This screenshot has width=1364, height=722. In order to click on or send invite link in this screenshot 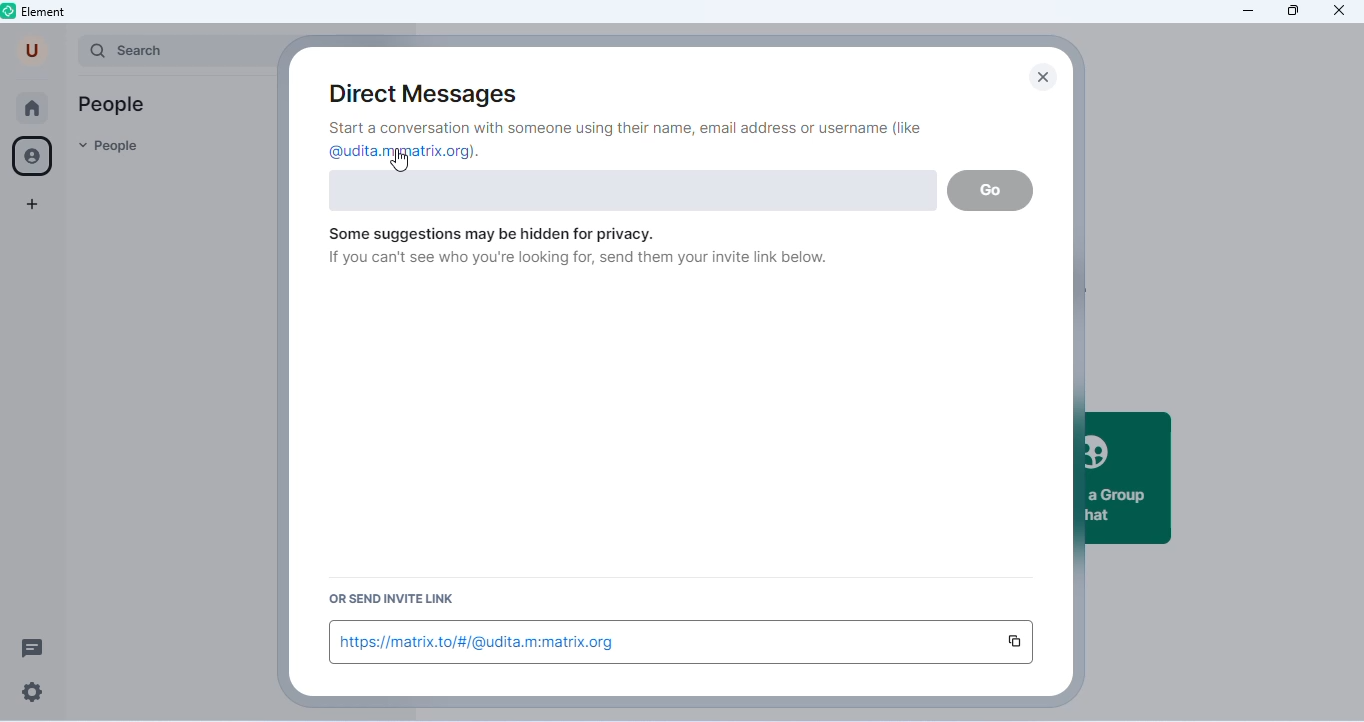, I will do `click(388, 599)`.